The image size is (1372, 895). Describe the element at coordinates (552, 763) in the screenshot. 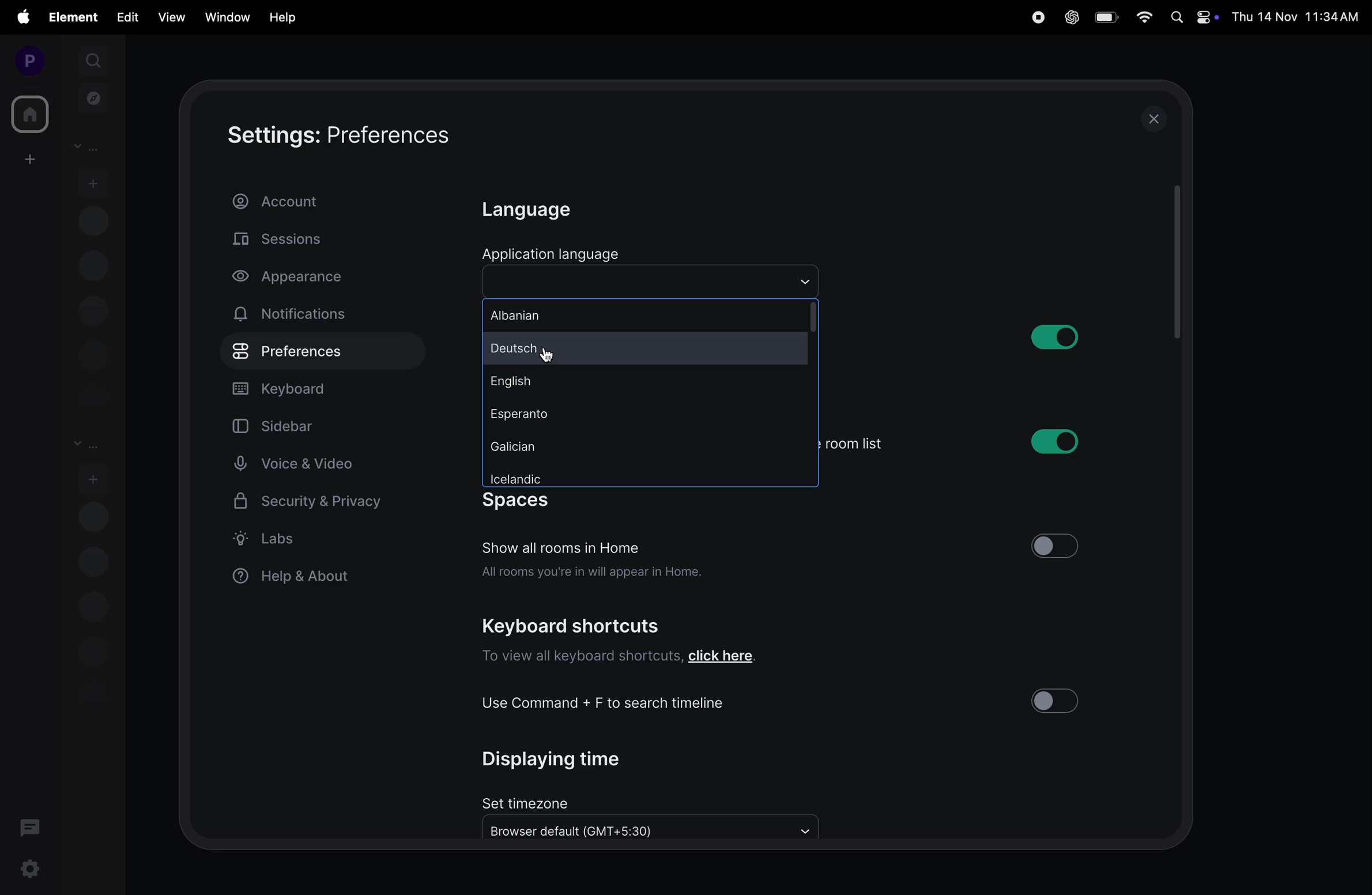

I see `displaying time` at that location.